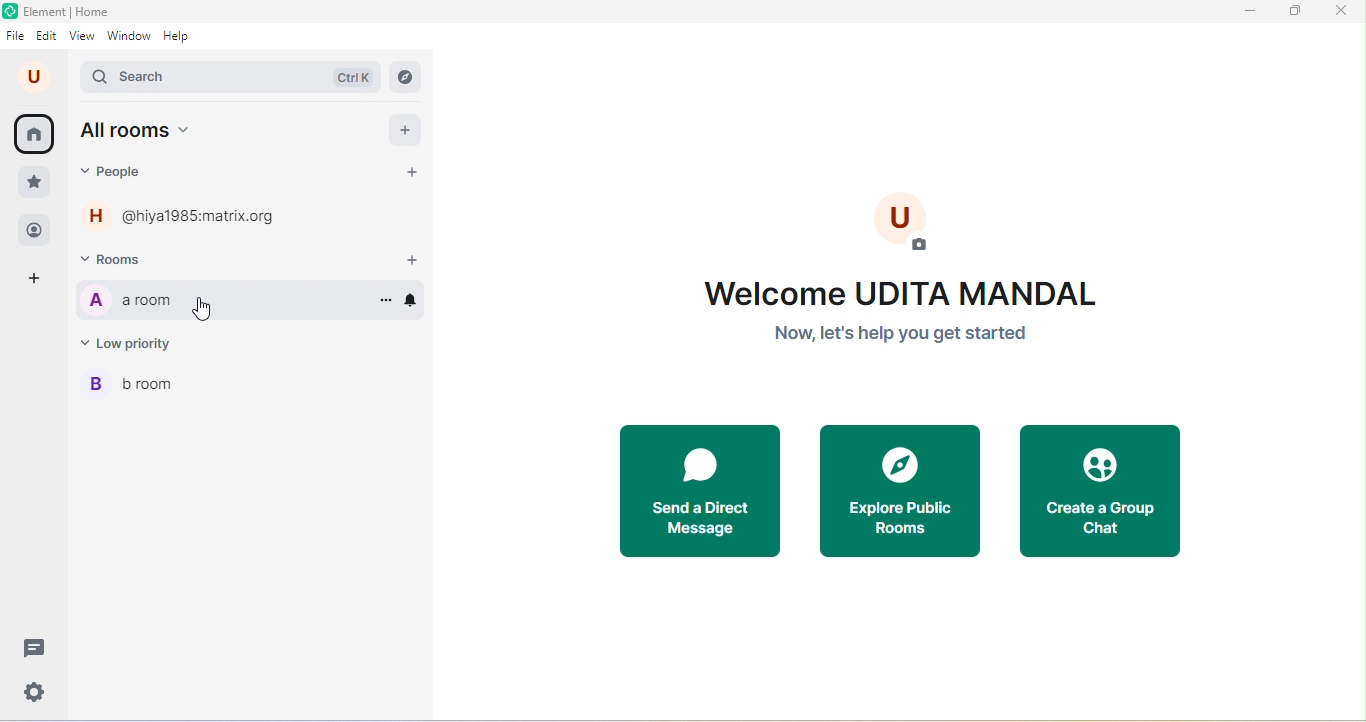 Image resolution: width=1366 pixels, height=722 pixels. What do you see at coordinates (32, 183) in the screenshot?
I see `favorite` at bounding box center [32, 183].